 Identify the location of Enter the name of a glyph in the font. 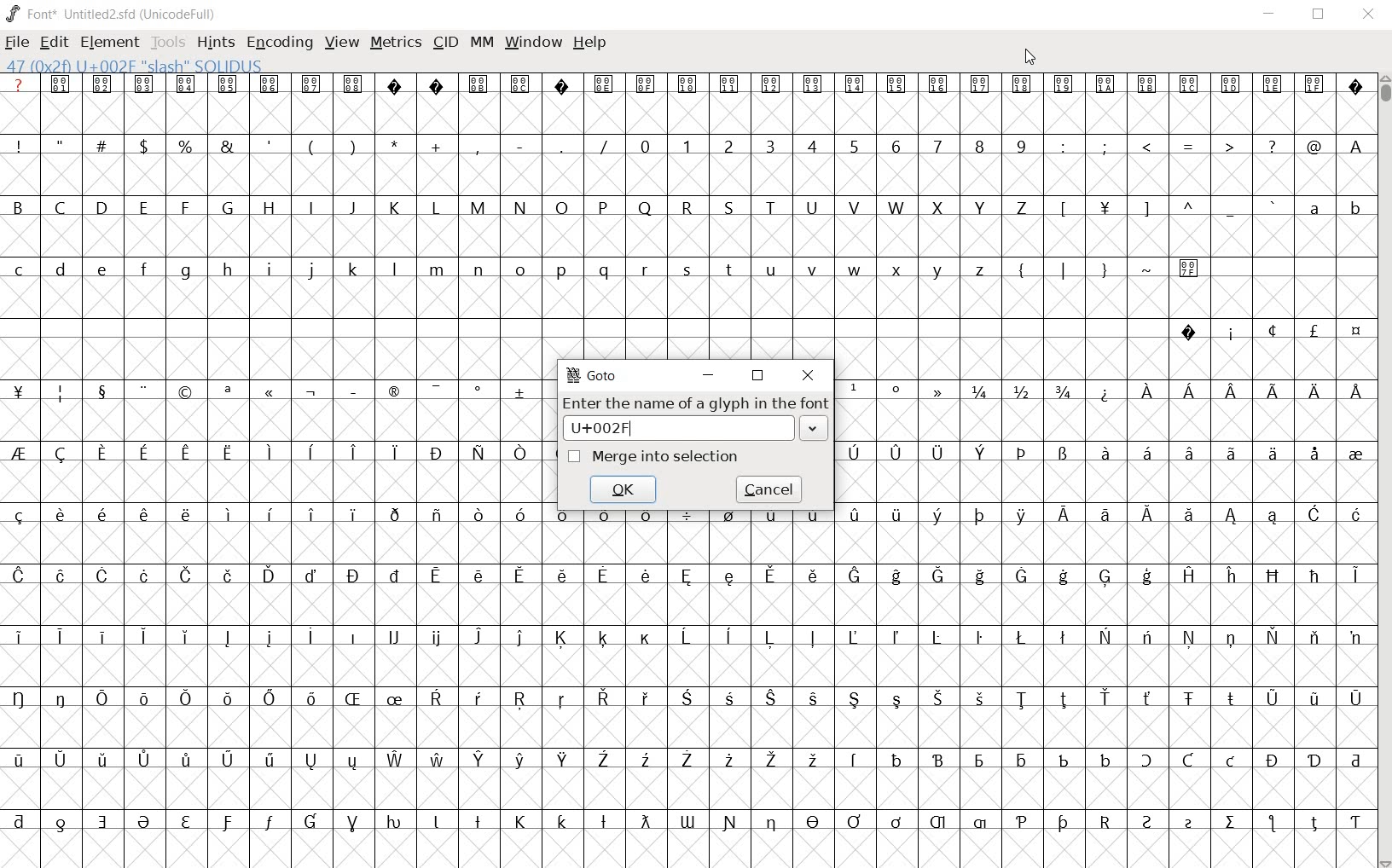
(696, 405).